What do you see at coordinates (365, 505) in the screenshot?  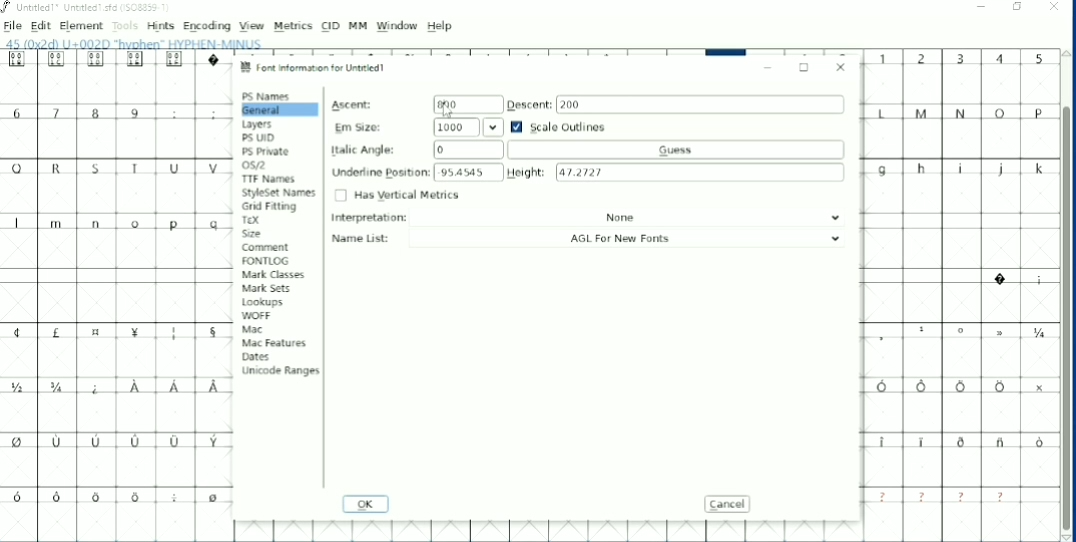 I see `OK` at bounding box center [365, 505].